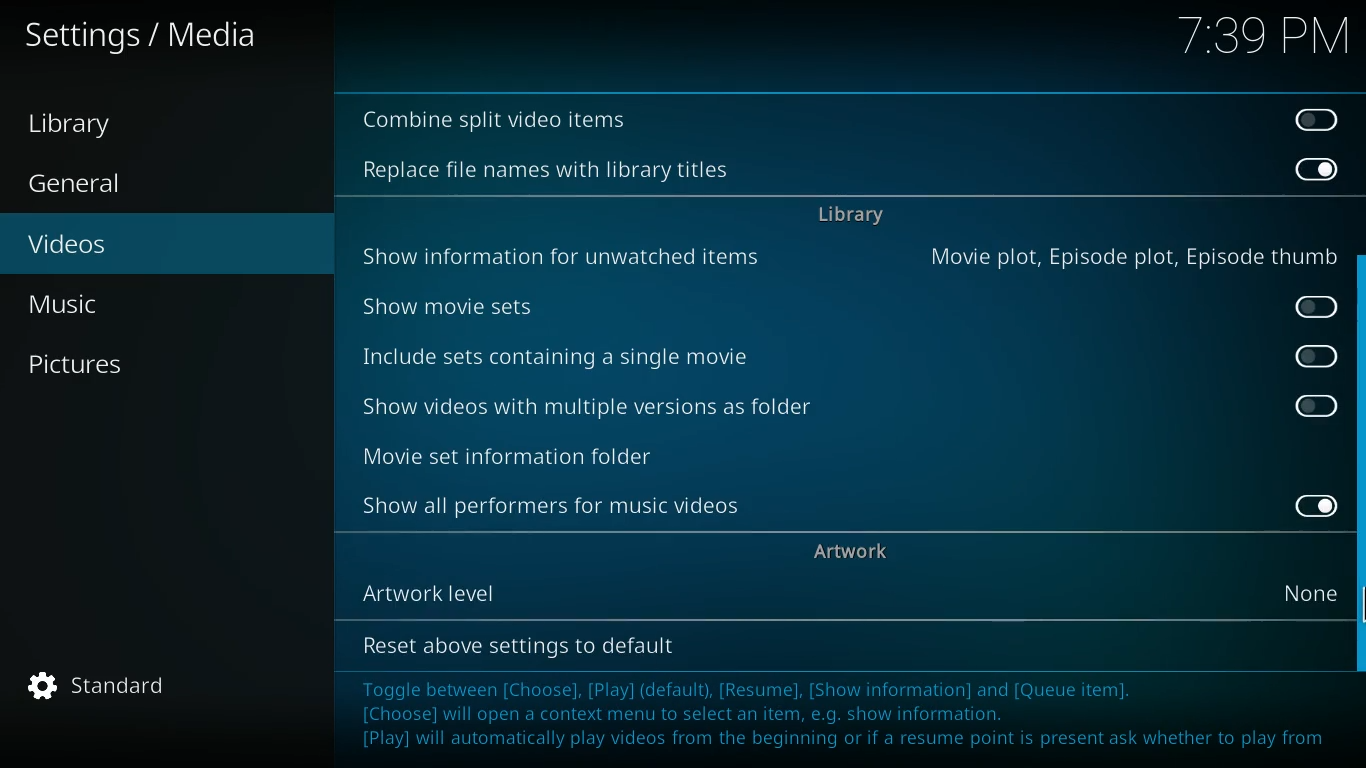 Image resolution: width=1366 pixels, height=768 pixels. I want to click on show all performers, so click(559, 508).